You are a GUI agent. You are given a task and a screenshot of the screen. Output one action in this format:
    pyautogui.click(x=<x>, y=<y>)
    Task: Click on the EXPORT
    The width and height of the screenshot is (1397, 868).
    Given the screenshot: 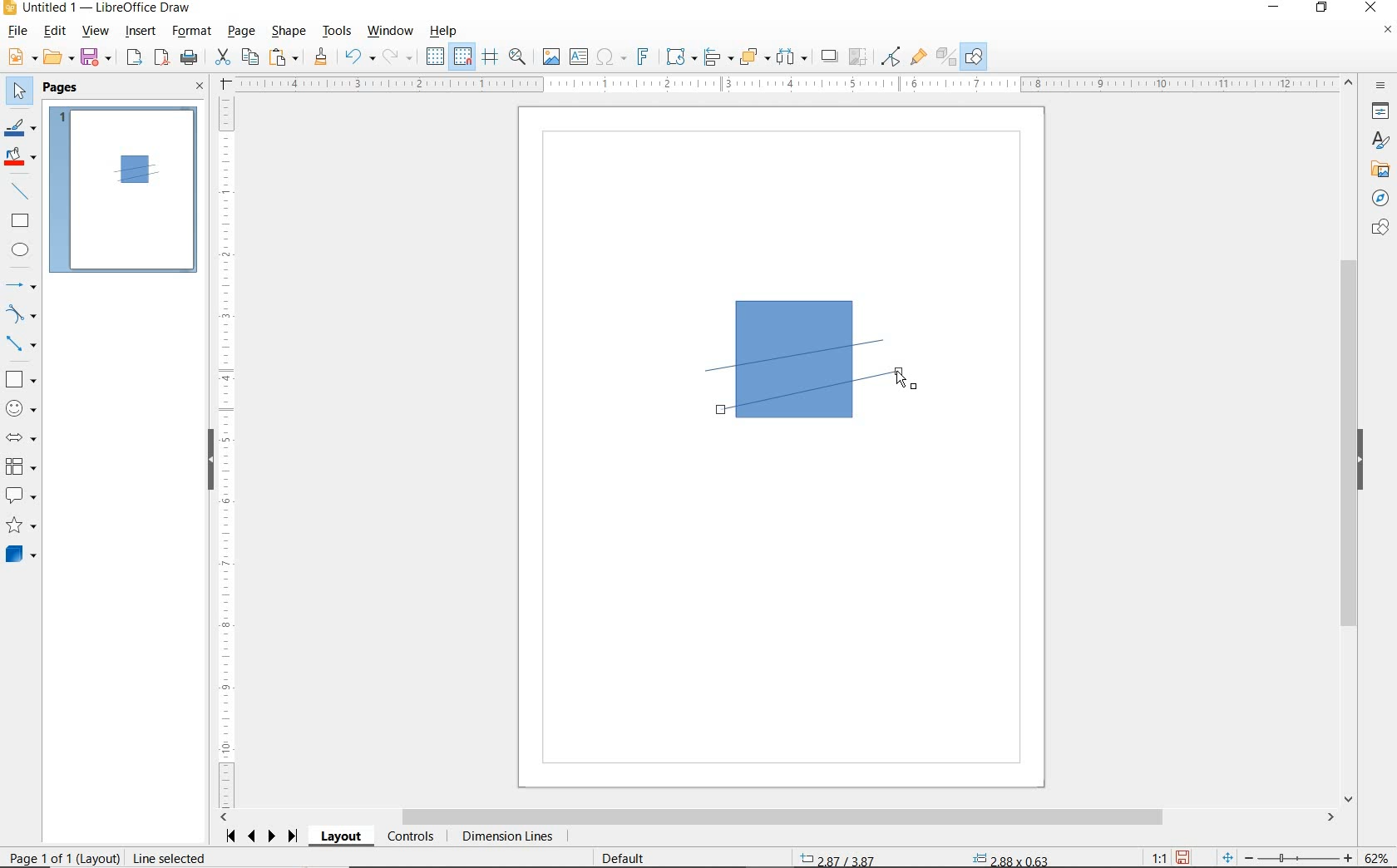 What is the action you would take?
    pyautogui.click(x=135, y=59)
    